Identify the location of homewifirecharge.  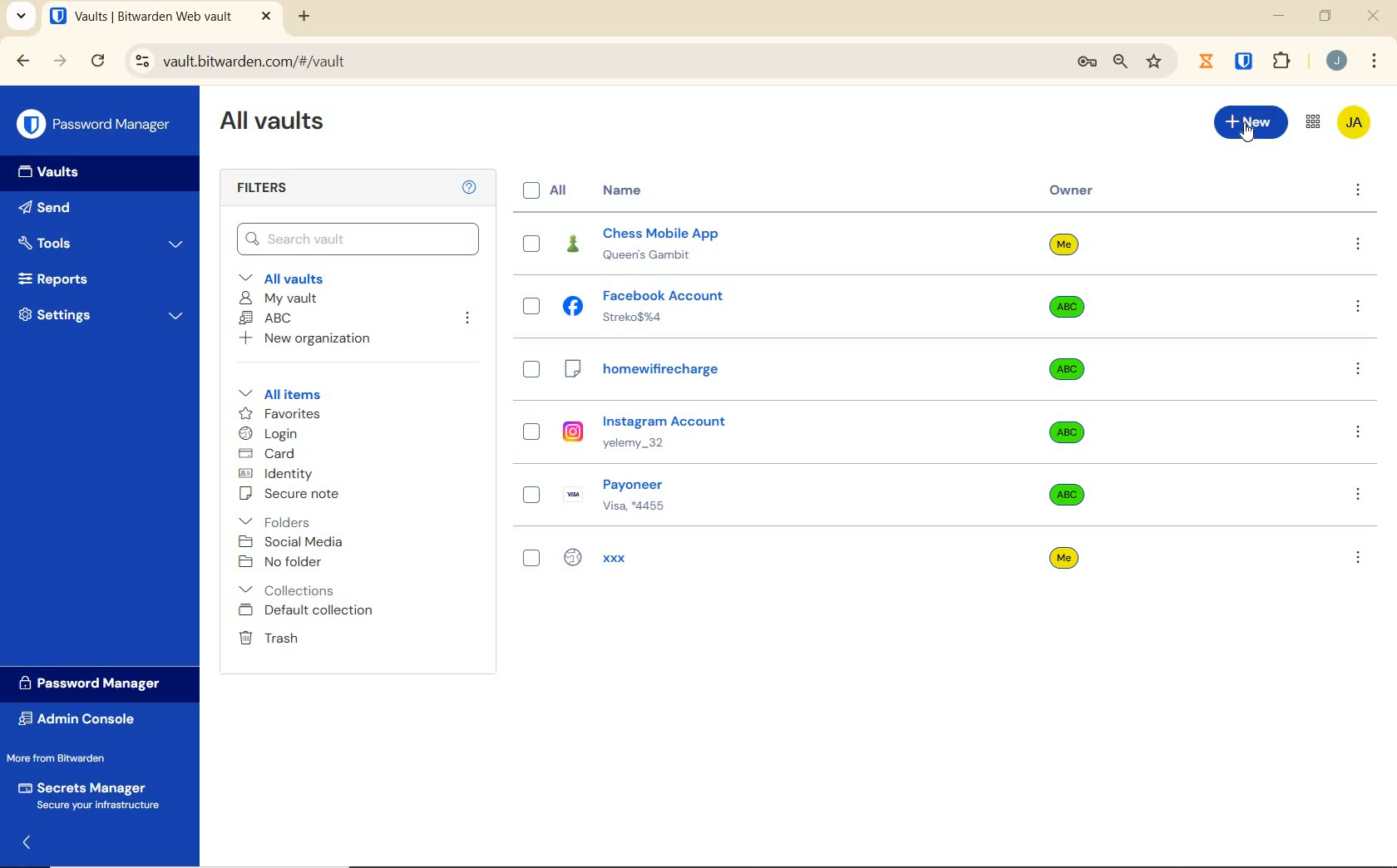
(764, 367).